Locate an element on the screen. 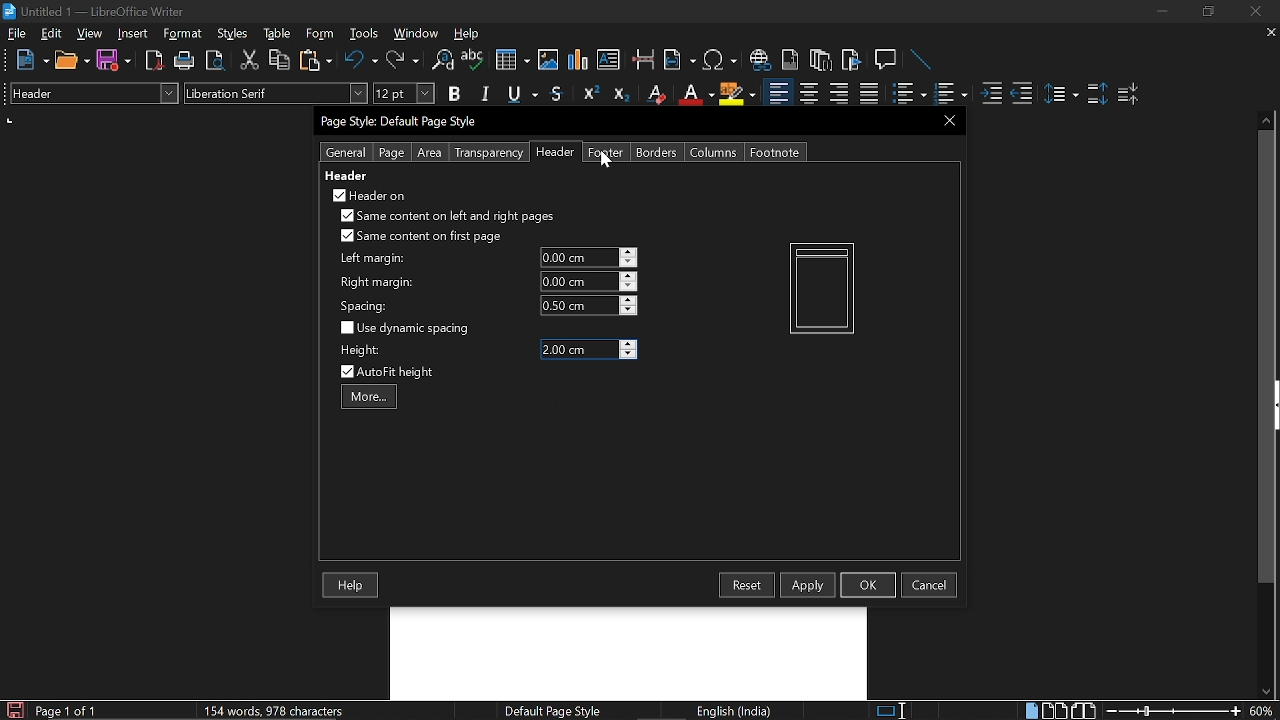 The image size is (1280, 720). Insert symbol is located at coordinates (722, 60).